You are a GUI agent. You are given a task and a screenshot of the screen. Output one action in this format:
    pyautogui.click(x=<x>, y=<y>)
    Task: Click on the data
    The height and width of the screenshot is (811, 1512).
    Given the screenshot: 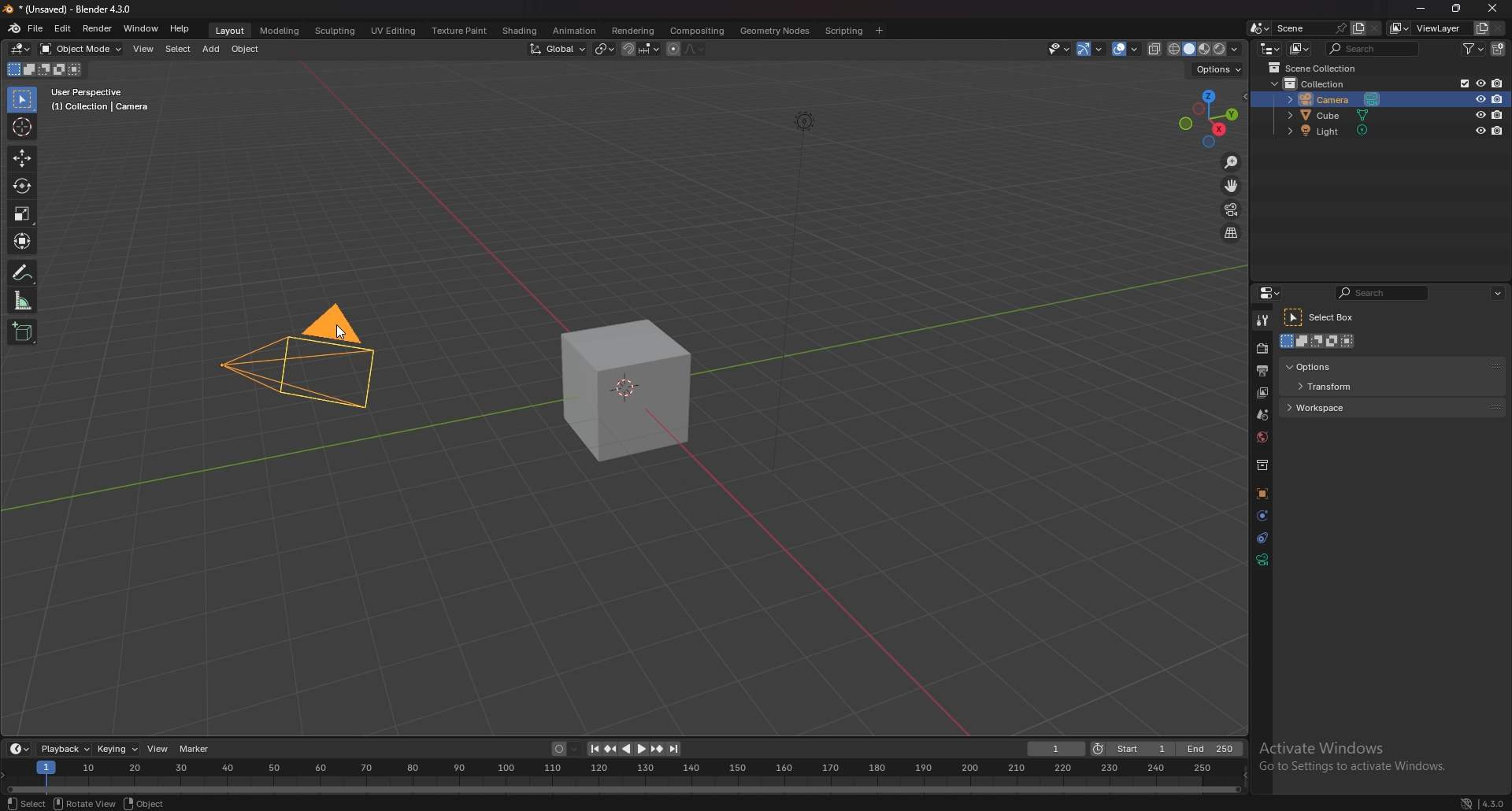 What is the action you would take?
    pyautogui.click(x=1262, y=560)
    